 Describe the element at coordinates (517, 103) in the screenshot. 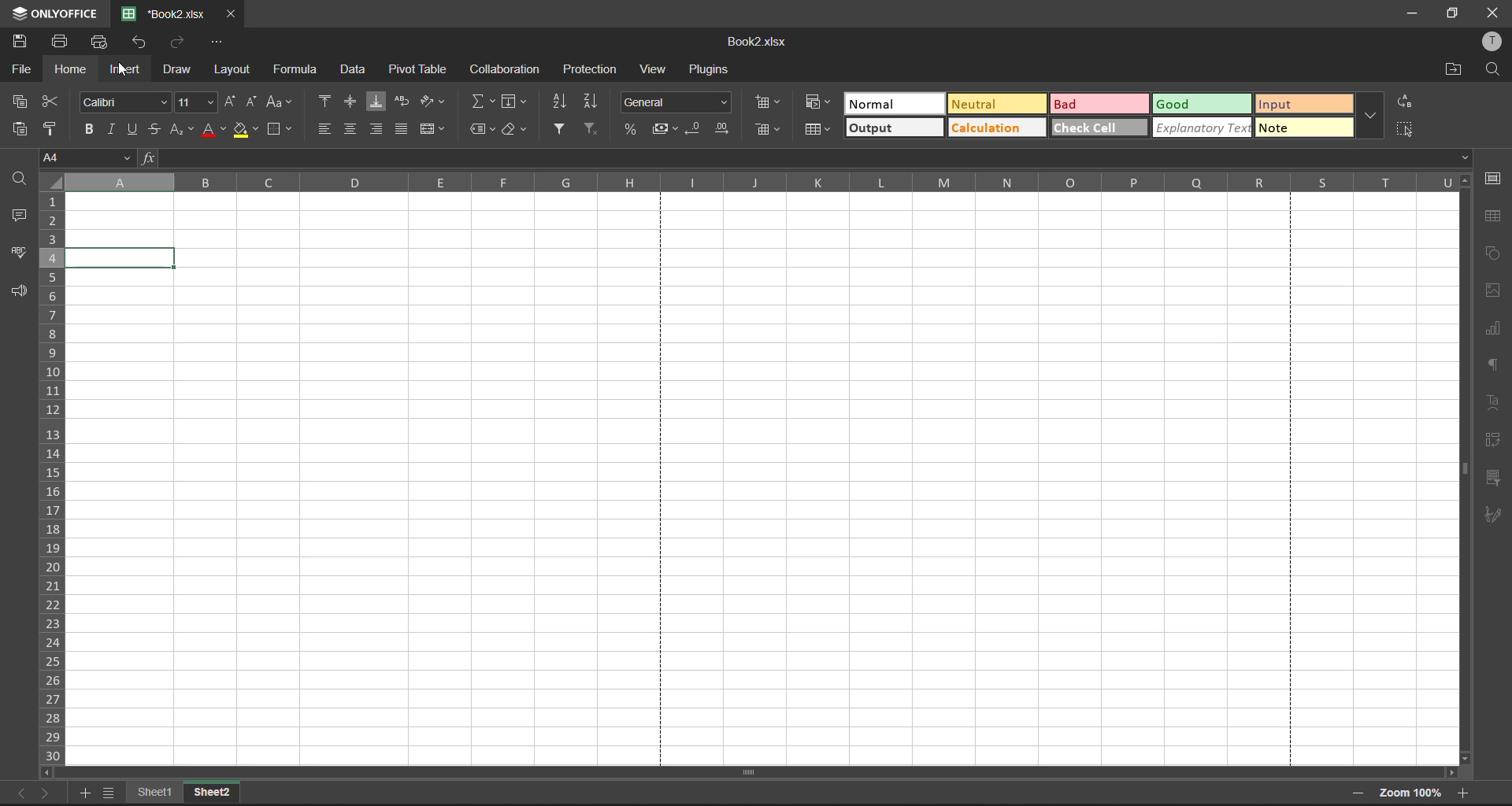

I see `fields` at that location.